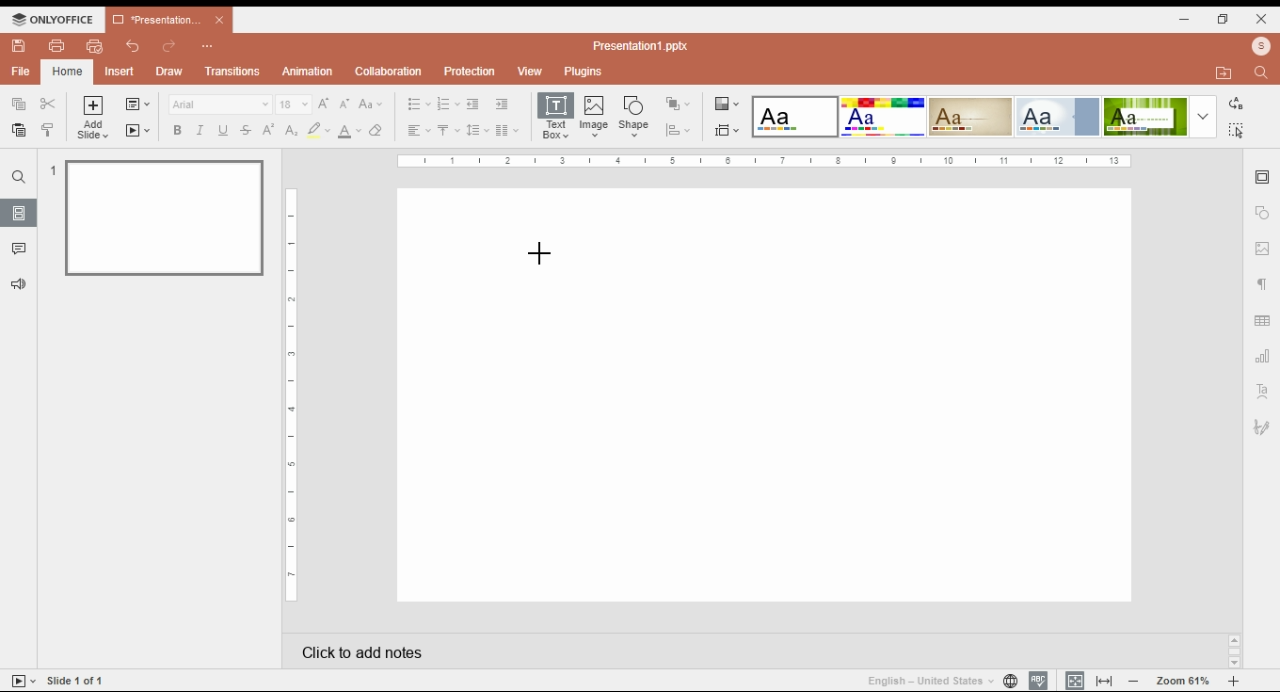  Describe the element at coordinates (1260, 18) in the screenshot. I see `close window` at that location.